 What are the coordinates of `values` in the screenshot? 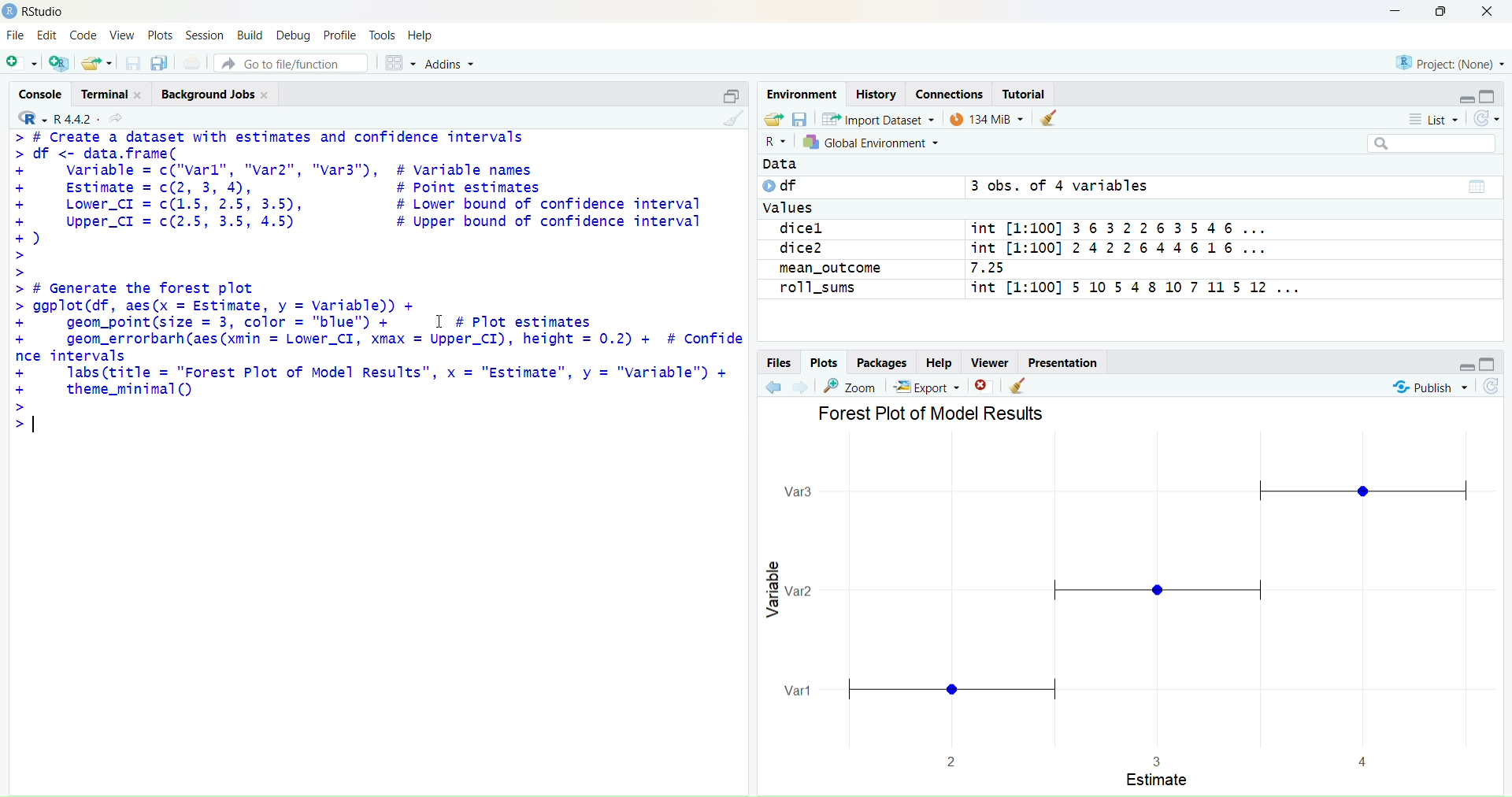 It's located at (792, 209).